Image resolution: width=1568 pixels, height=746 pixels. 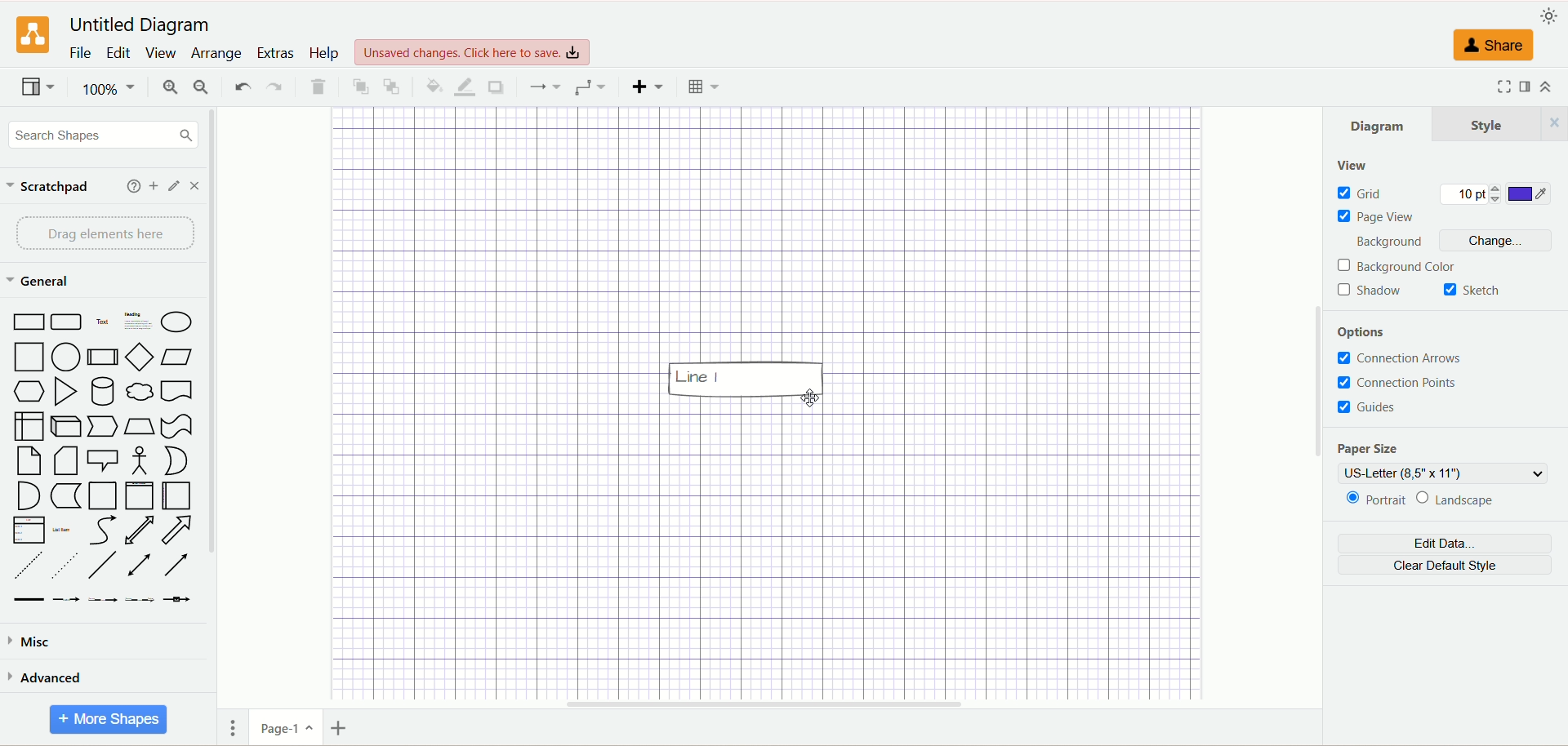 I want to click on Textbox, so click(x=136, y=321).